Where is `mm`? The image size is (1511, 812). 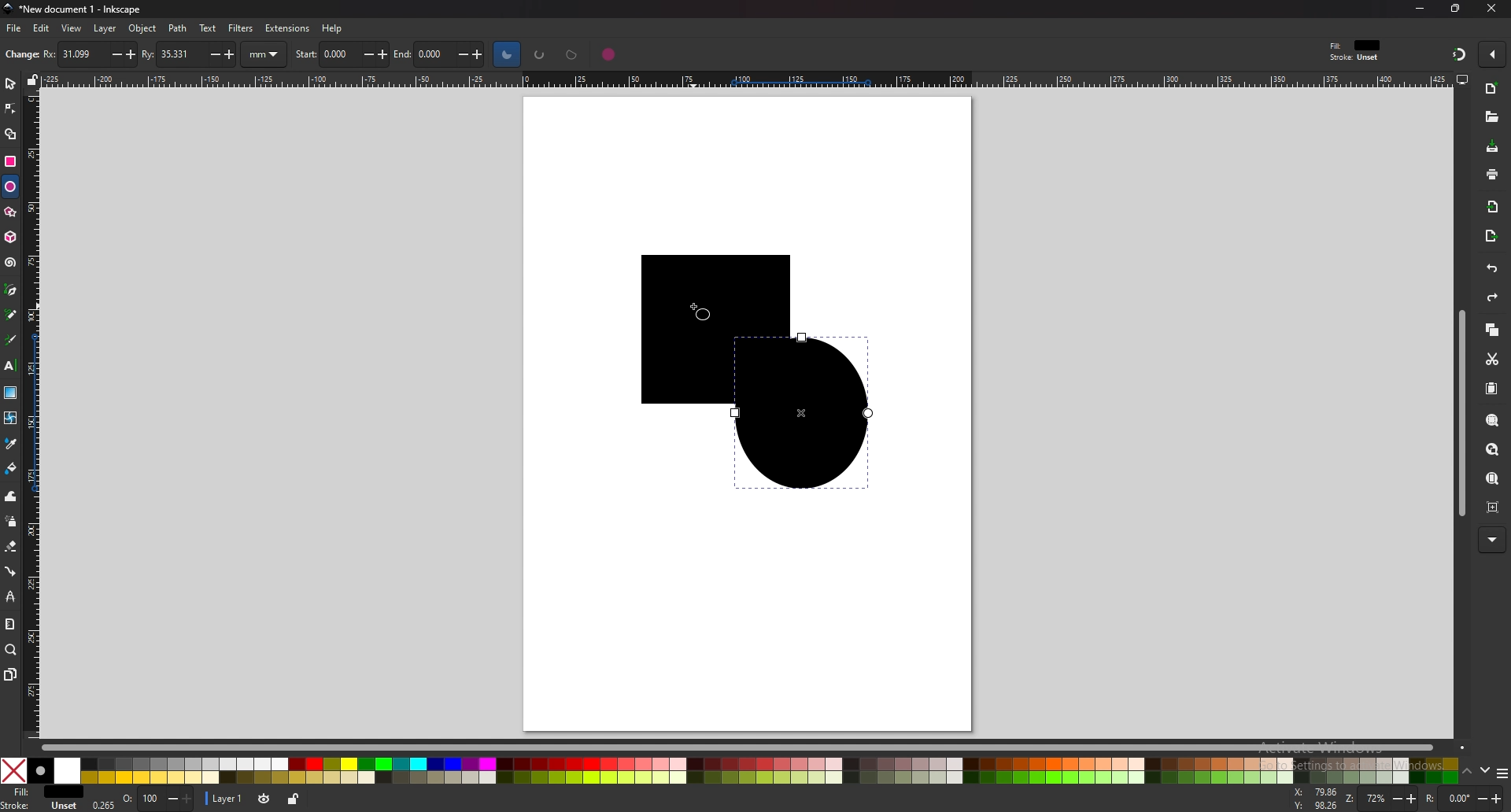 mm is located at coordinates (266, 54).